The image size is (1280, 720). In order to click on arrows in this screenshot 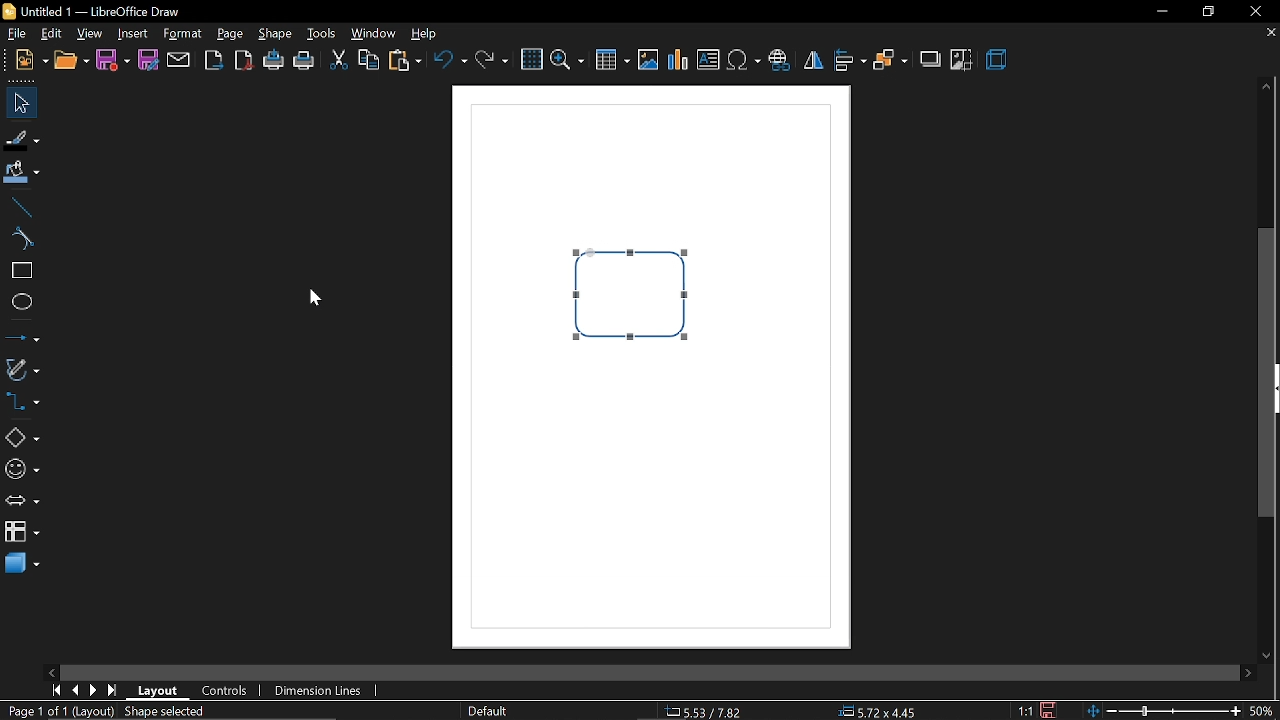, I will do `click(21, 502)`.